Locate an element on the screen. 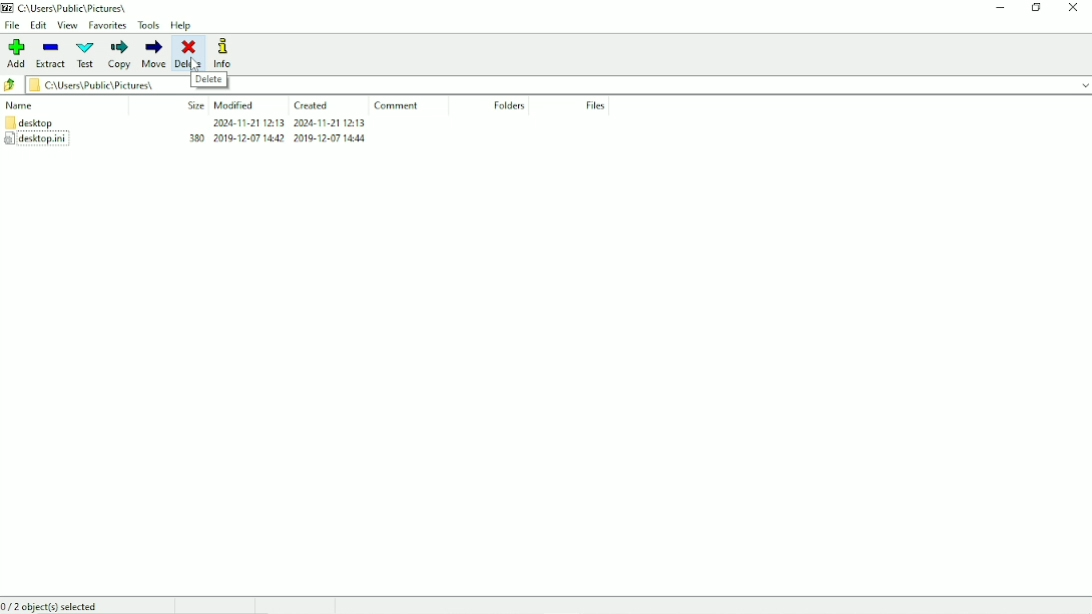 This screenshot has height=614, width=1092. 7 zip logo is located at coordinates (8, 9).